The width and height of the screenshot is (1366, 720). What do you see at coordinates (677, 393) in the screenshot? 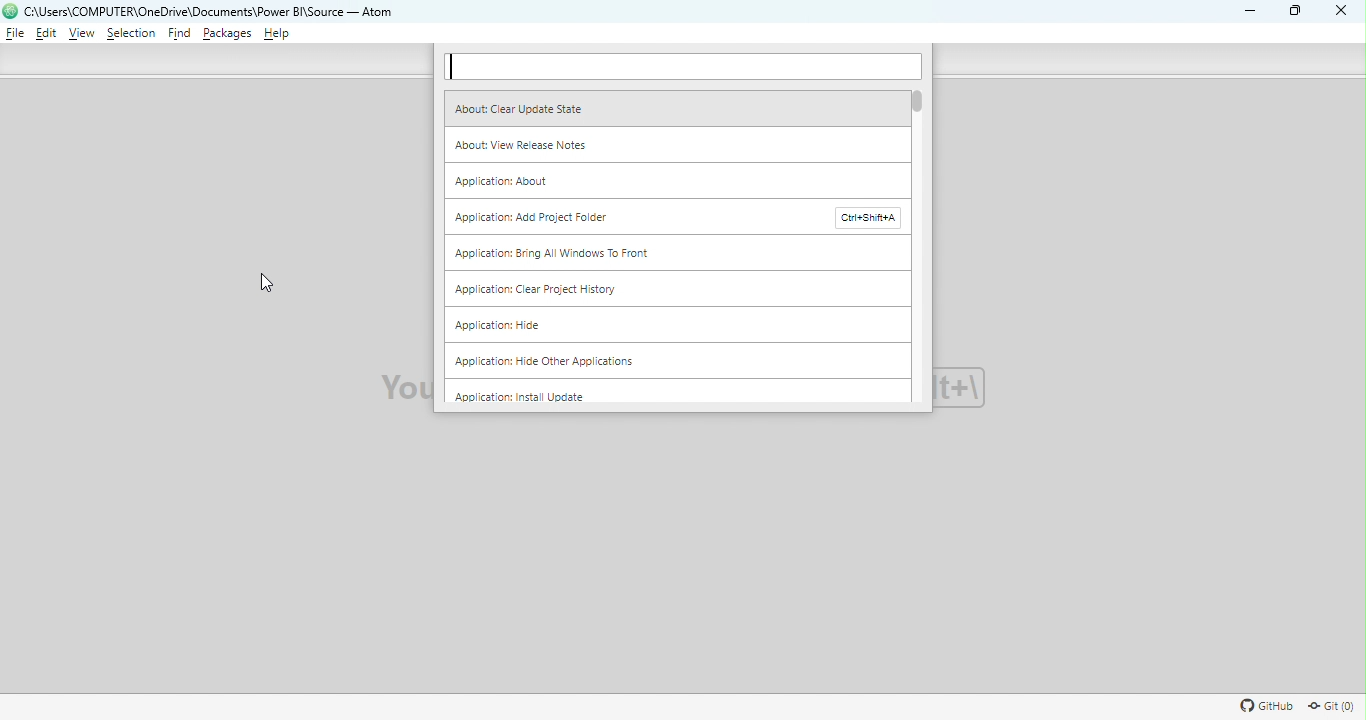
I see `Application: Install update` at bounding box center [677, 393].